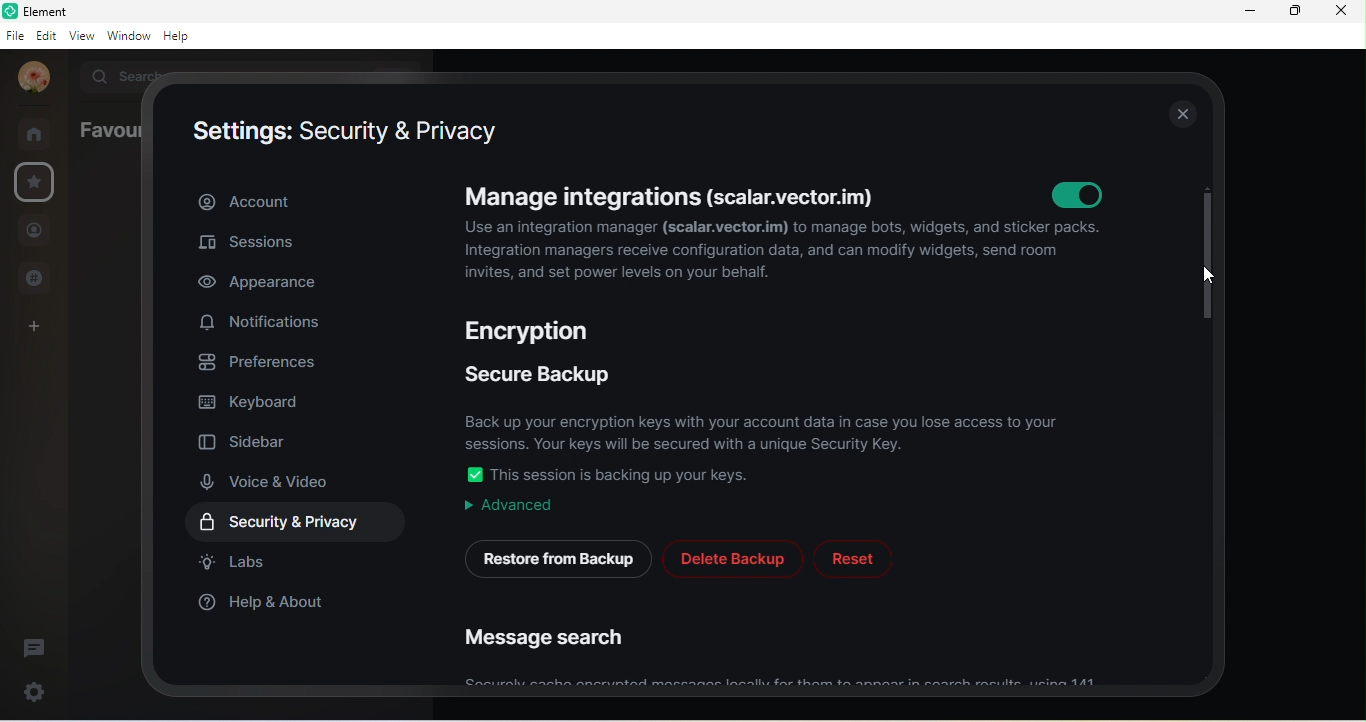  I want to click on settings: security and privacy, so click(347, 132).